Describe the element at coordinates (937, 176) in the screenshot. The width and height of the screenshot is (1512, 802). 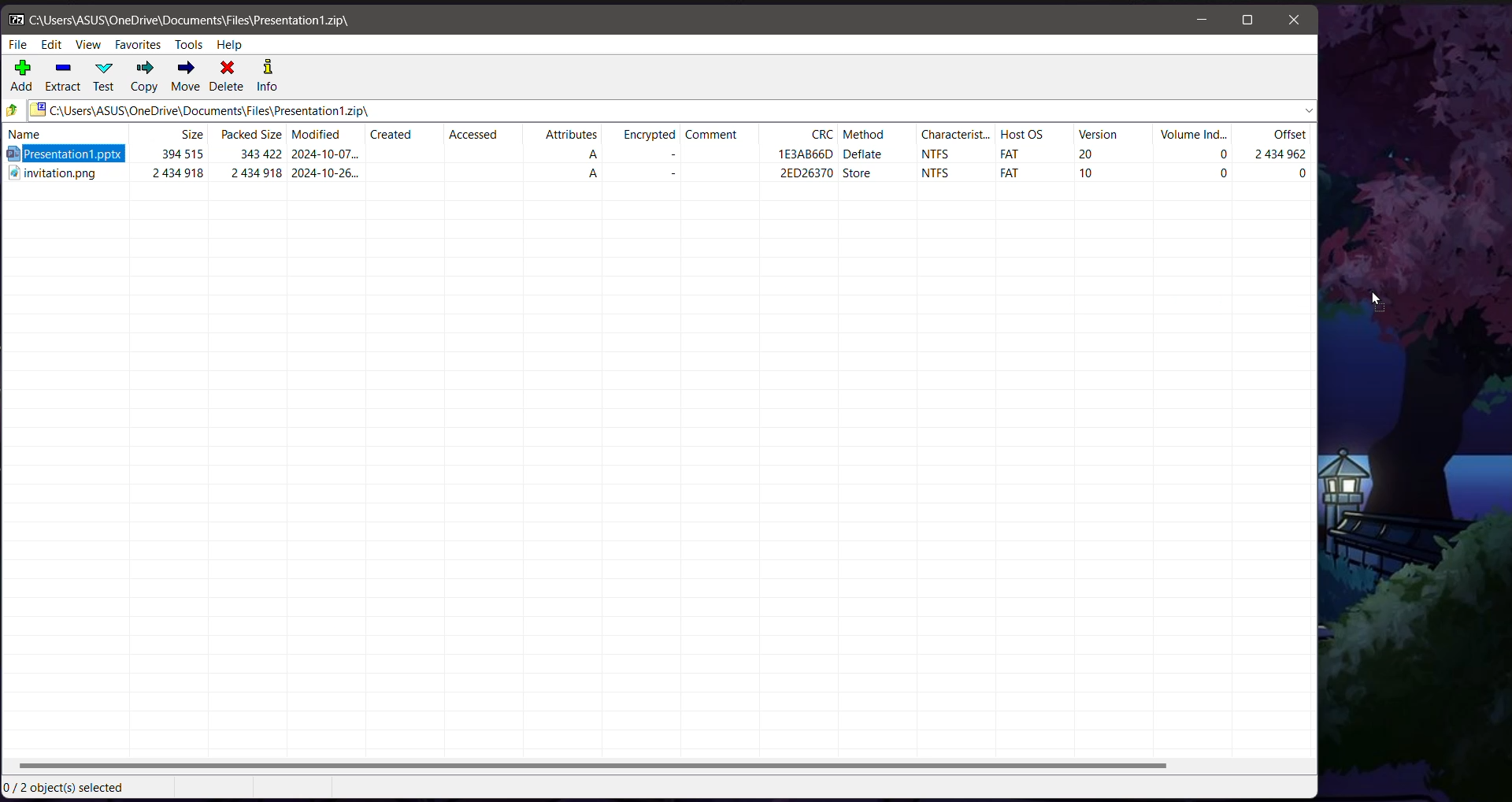
I see `NTFS` at that location.